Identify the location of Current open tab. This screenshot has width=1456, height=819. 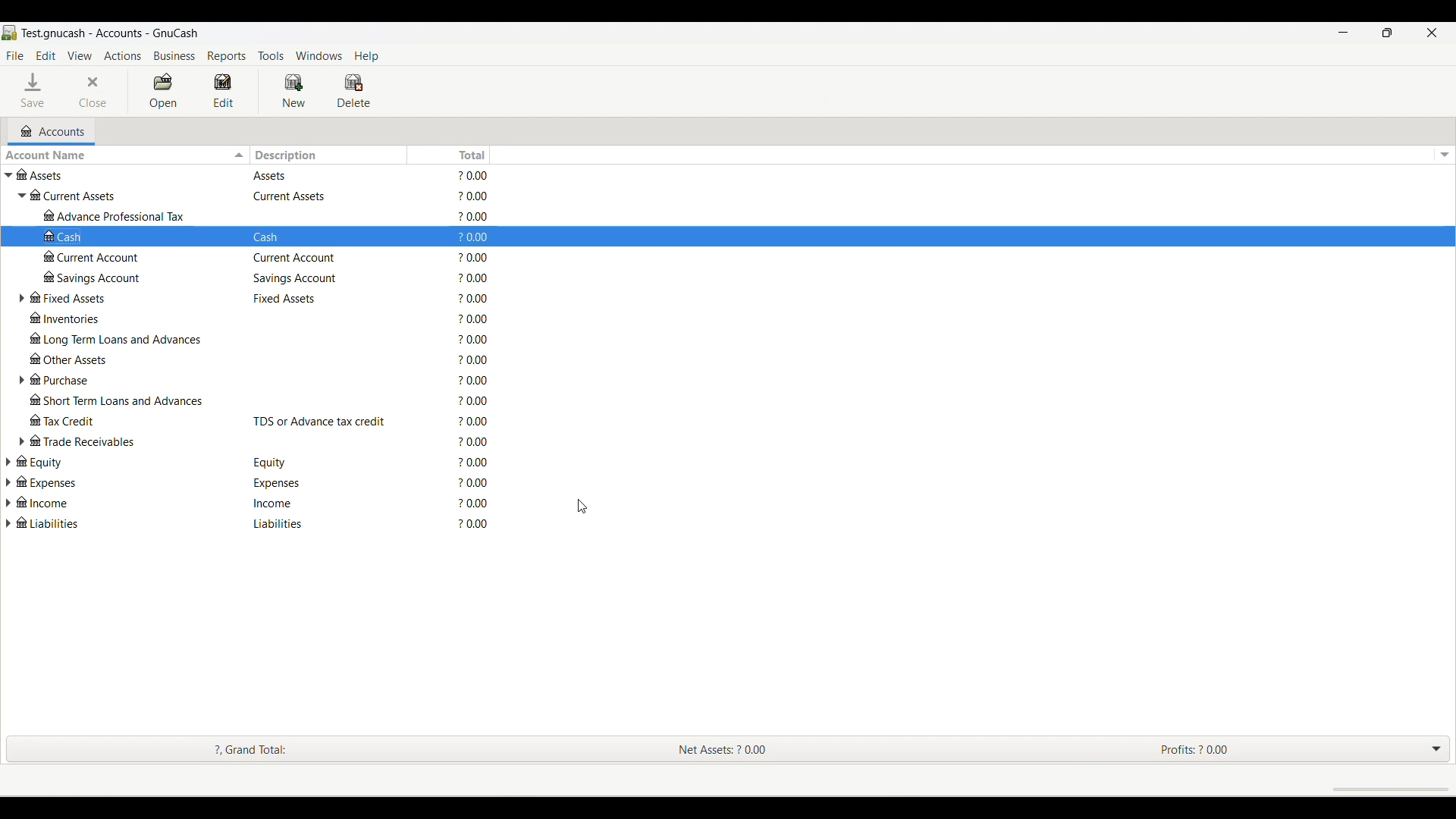
(51, 132).